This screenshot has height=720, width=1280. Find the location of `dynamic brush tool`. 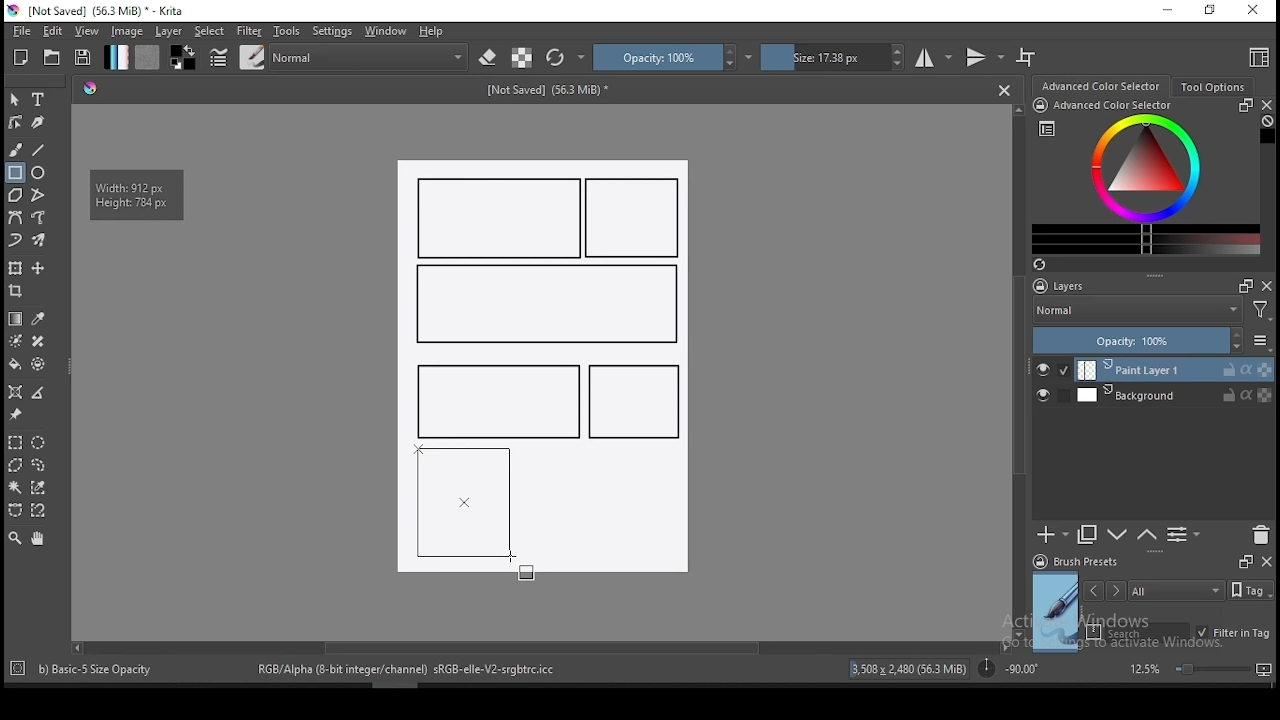

dynamic brush tool is located at coordinates (15, 241).